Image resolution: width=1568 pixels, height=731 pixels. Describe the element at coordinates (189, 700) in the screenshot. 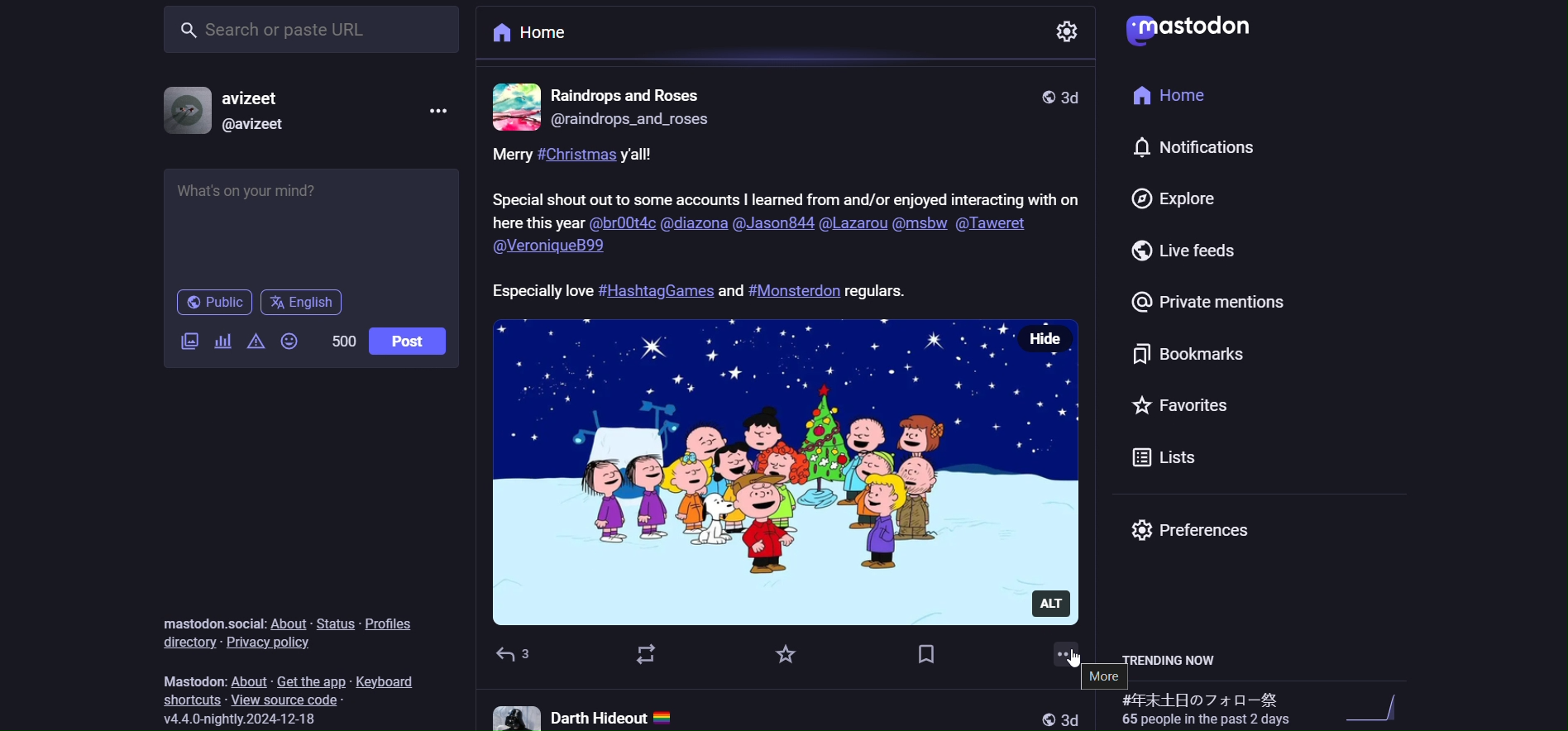

I see `shortcut` at that location.